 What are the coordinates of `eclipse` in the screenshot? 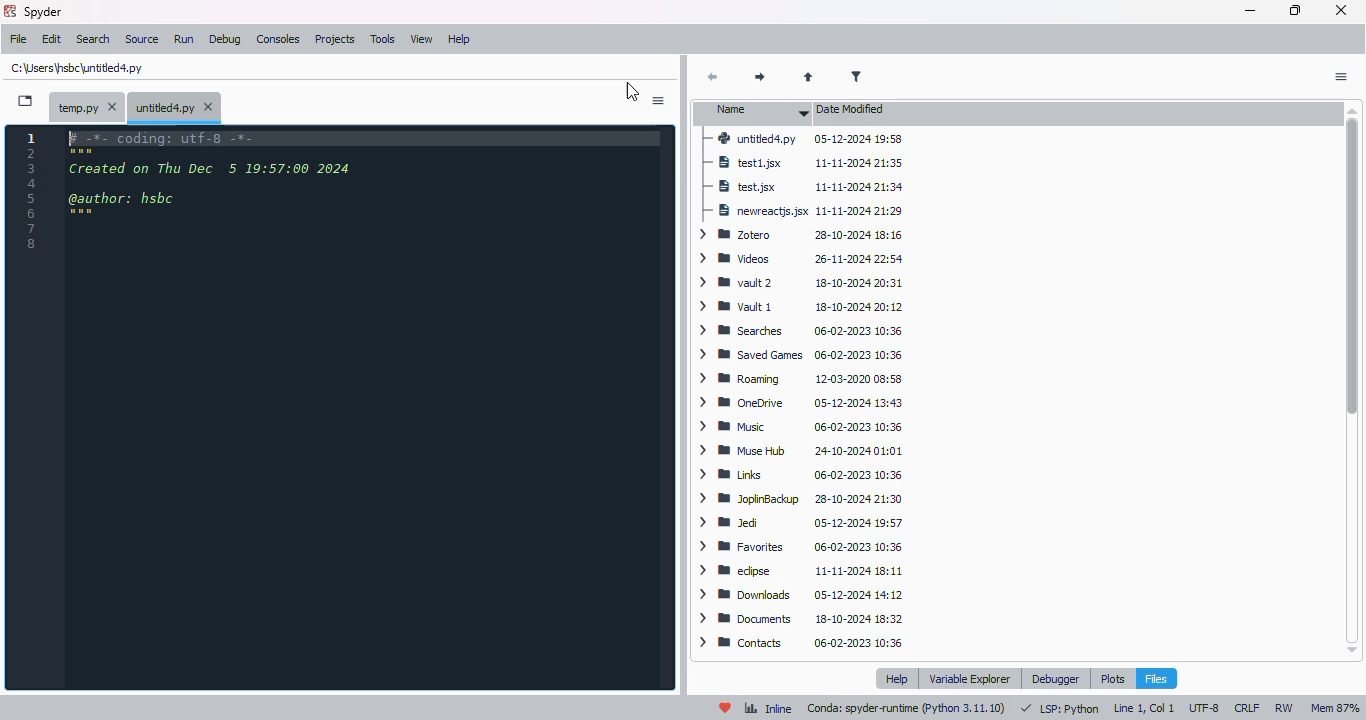 It's located at (801, 621).